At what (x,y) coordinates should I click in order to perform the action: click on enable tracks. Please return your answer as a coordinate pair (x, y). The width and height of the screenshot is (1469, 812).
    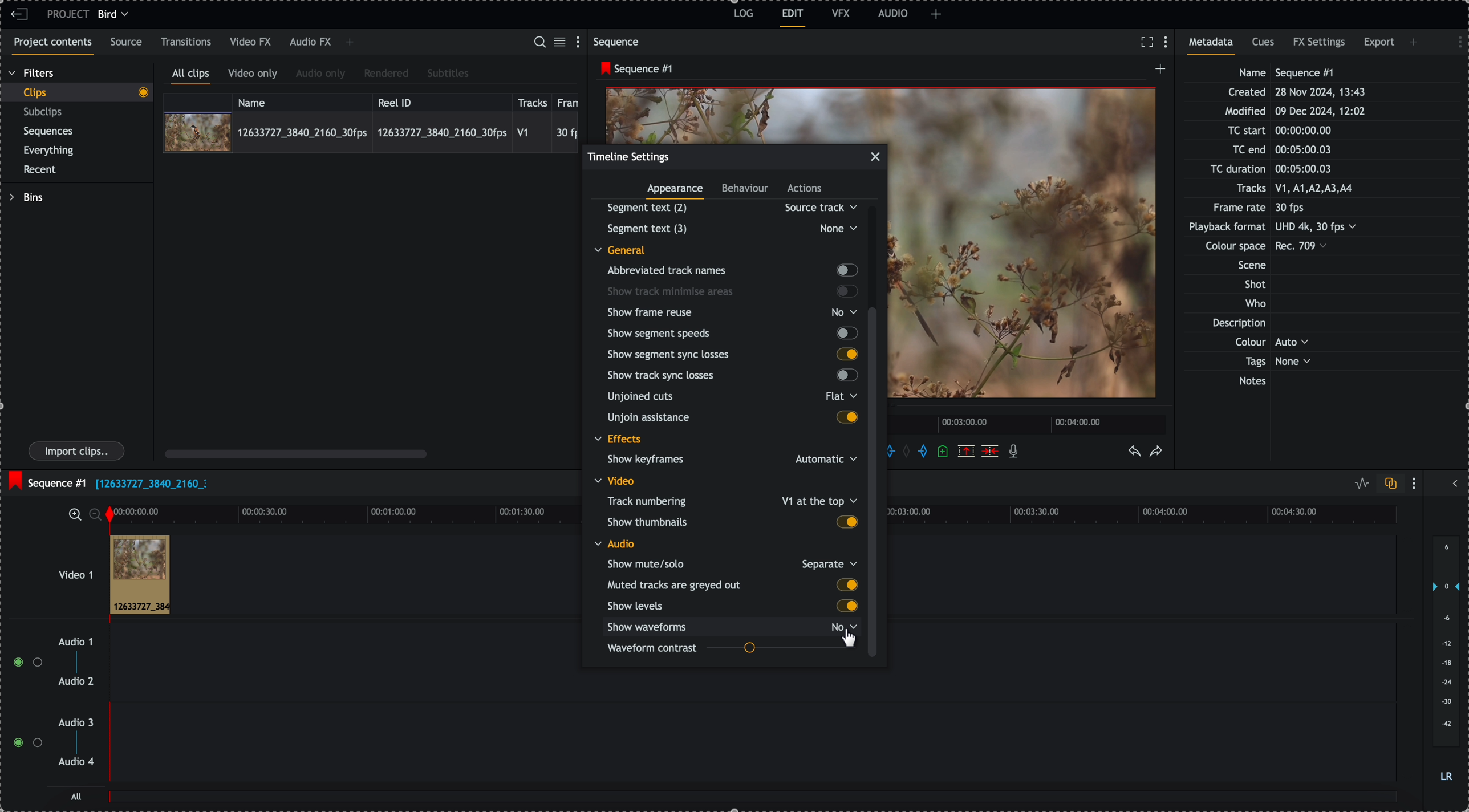
    Looking at the image, I should click on (23, 703).